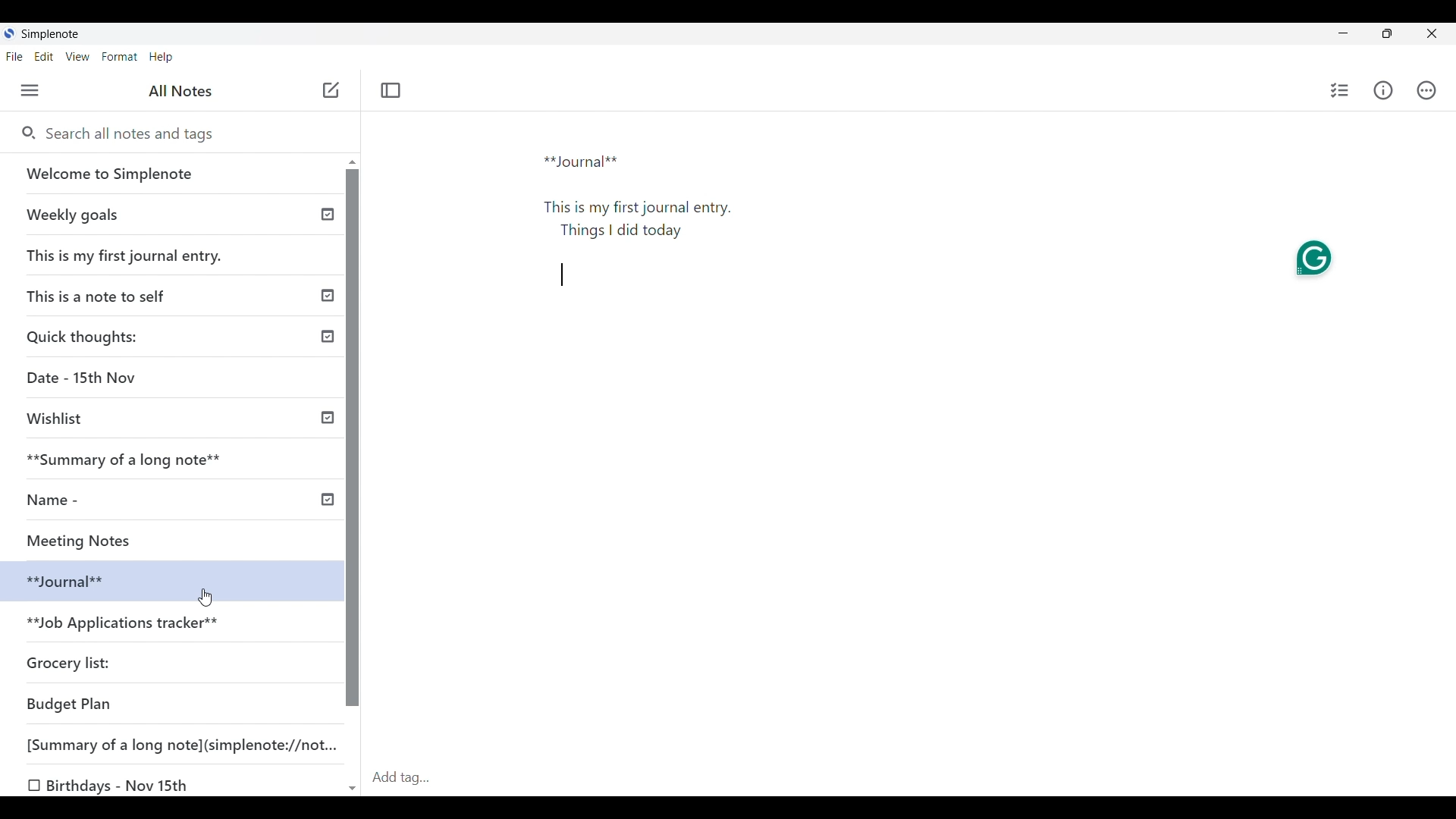 The height and width of the screenshot is (819, 1456). What do you see at coordinates (126, 255) in the screenshot?
I see `This is my first journal entry.` at bounding box center [126, 255].